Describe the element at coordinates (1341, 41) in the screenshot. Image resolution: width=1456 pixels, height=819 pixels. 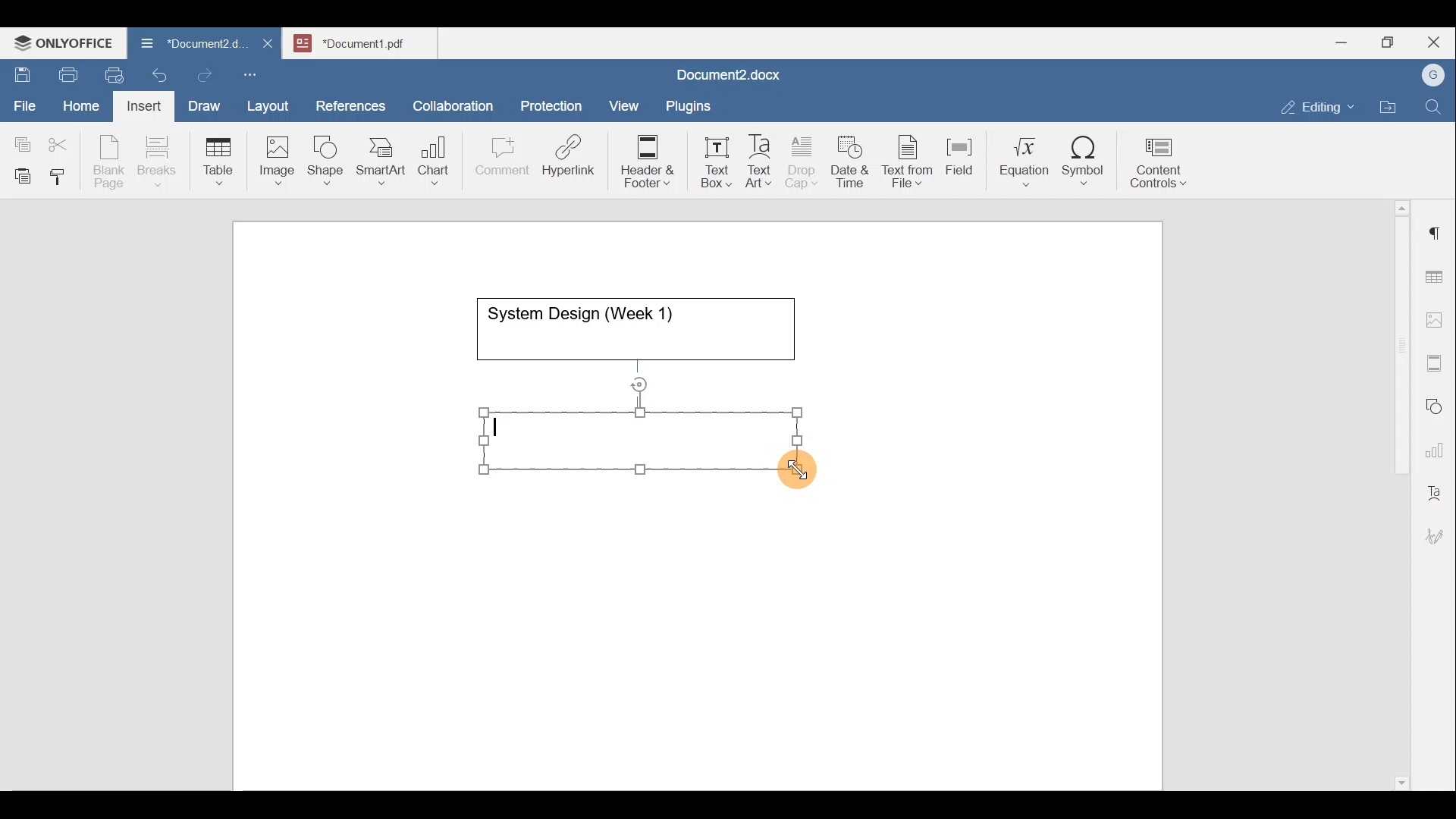
I see `Minimize` at that location.